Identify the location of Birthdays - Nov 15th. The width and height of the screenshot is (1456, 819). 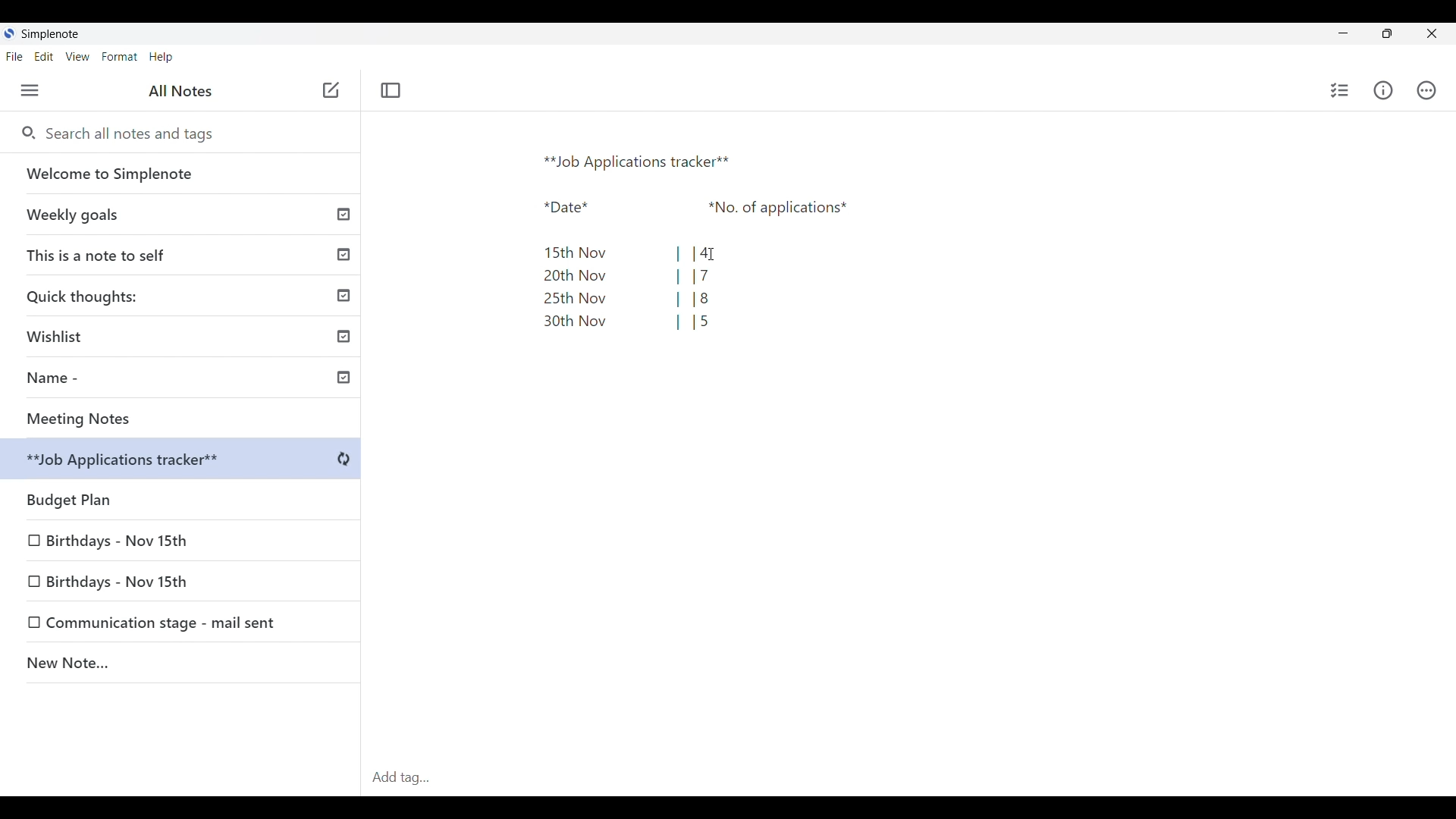
(146, 579).